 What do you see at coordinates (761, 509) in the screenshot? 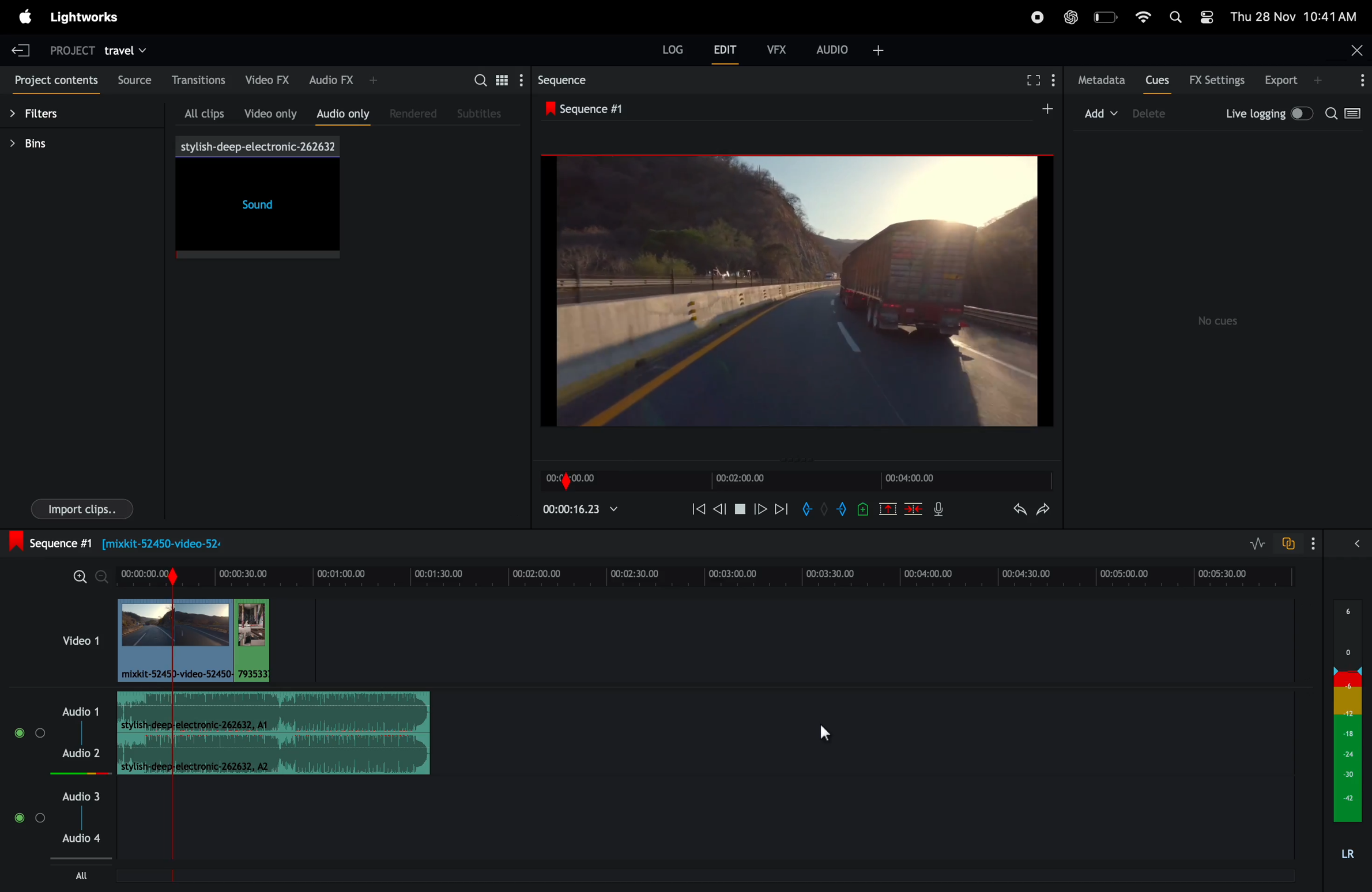
I see `move forward one frame` at bounding box center [761, 509].